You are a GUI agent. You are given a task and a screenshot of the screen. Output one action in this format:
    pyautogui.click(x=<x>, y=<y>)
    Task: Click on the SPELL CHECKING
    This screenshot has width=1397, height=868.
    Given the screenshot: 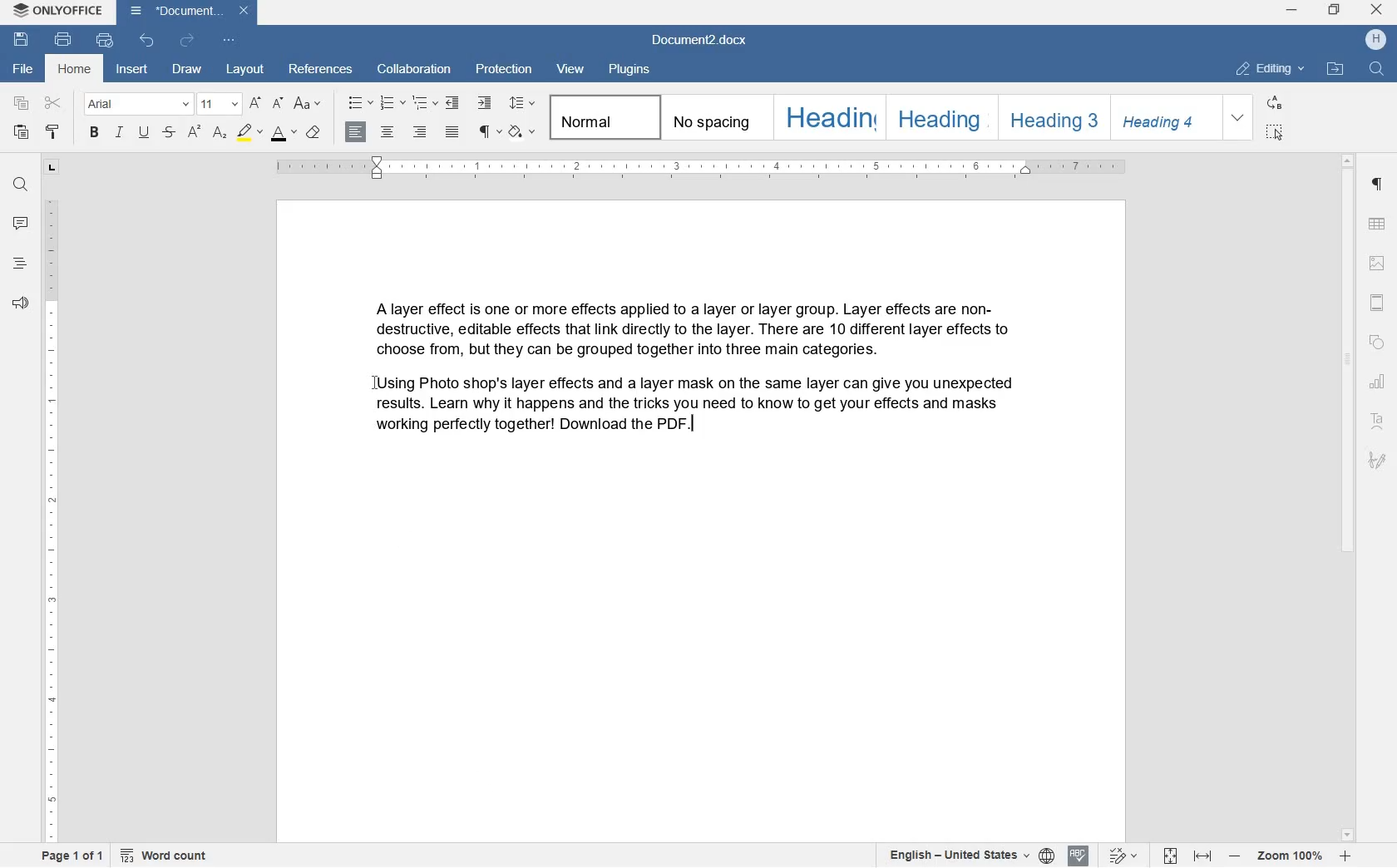 What is the action you would take?
    pyautogui.click(x=1079, y=856)
    